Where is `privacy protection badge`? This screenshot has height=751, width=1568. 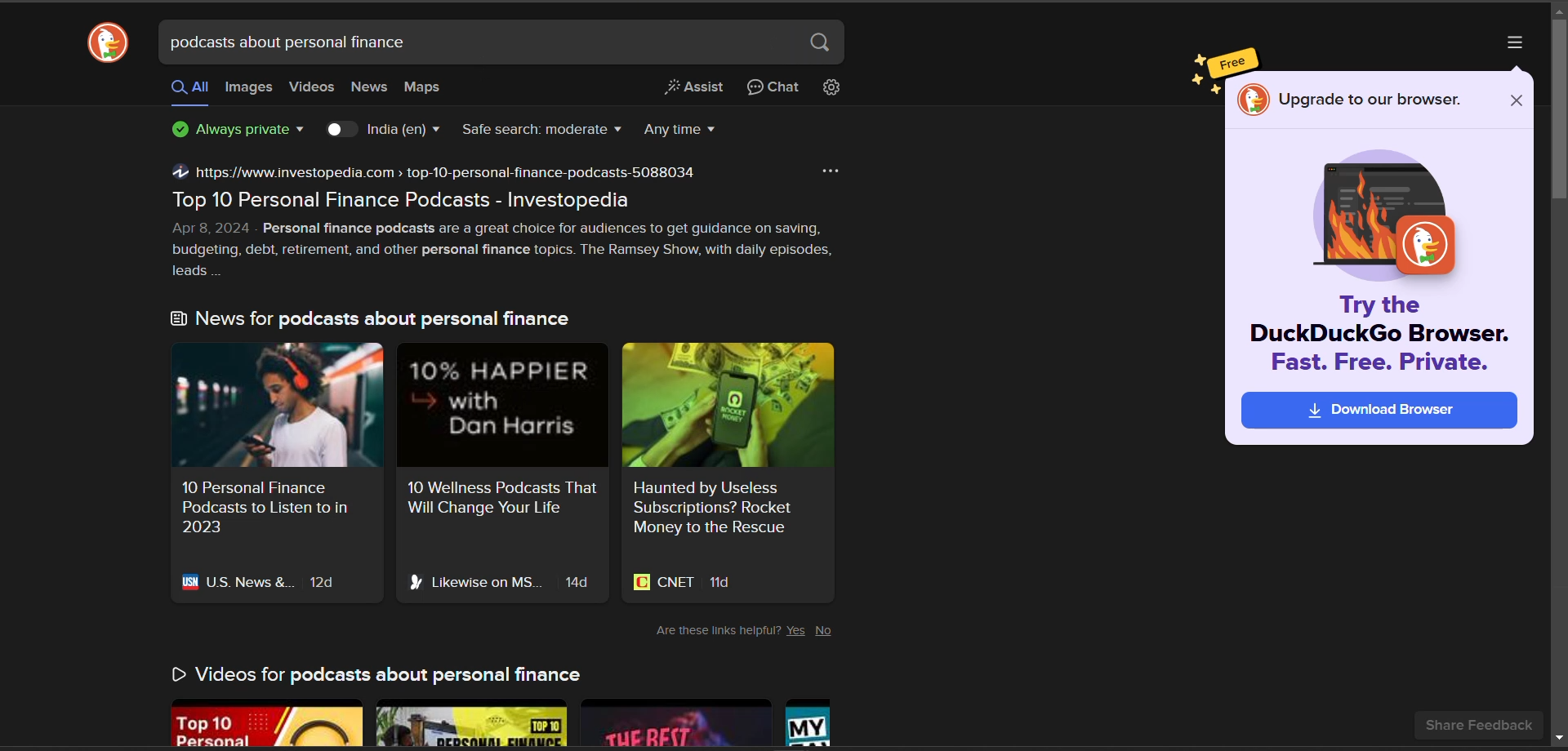 privacy protection badge is located at coordinates (242, 131).